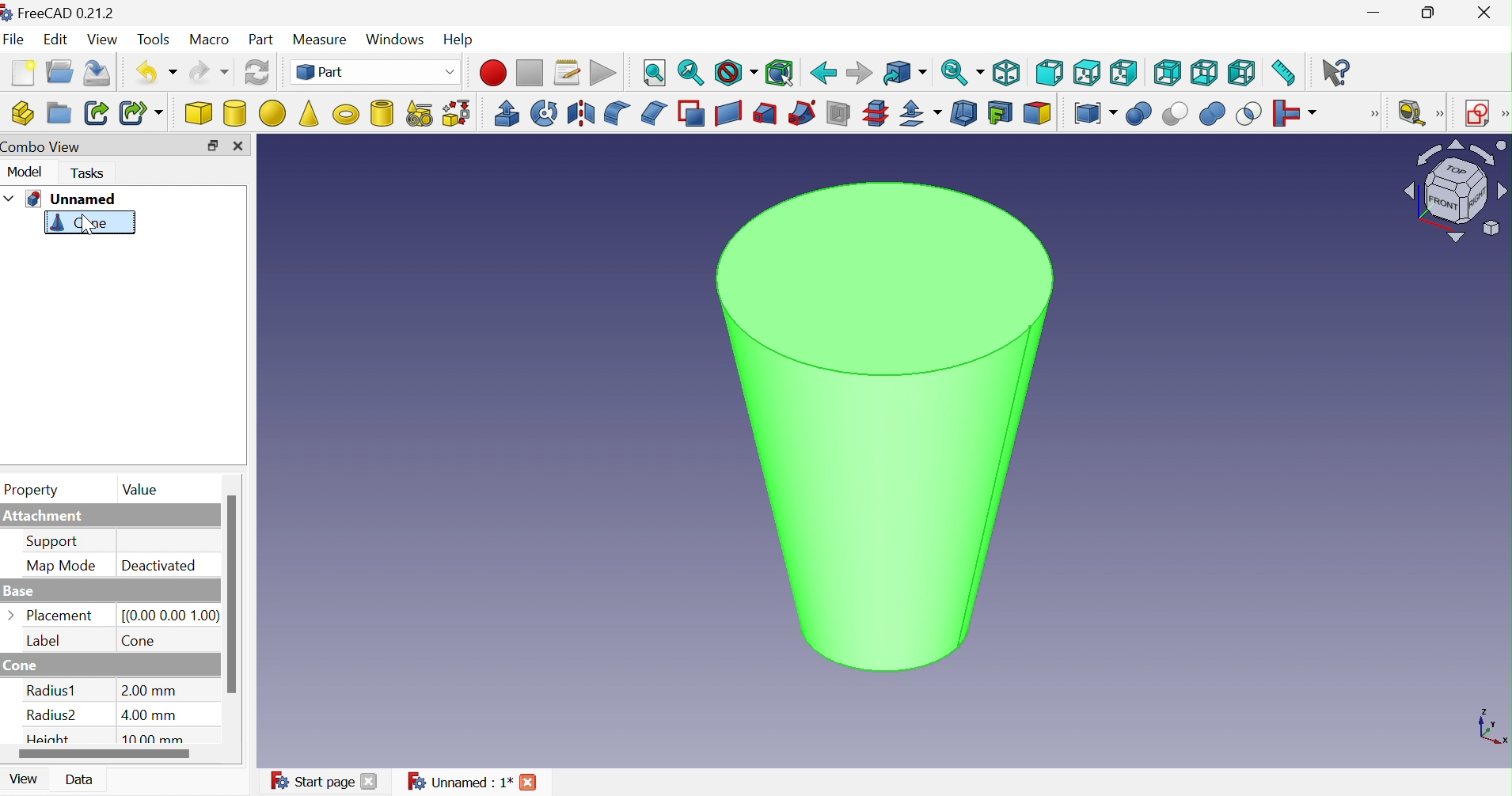  Describe the element at coordinates (493, 73) in the screenshot. I see `Macro recording` at that location.